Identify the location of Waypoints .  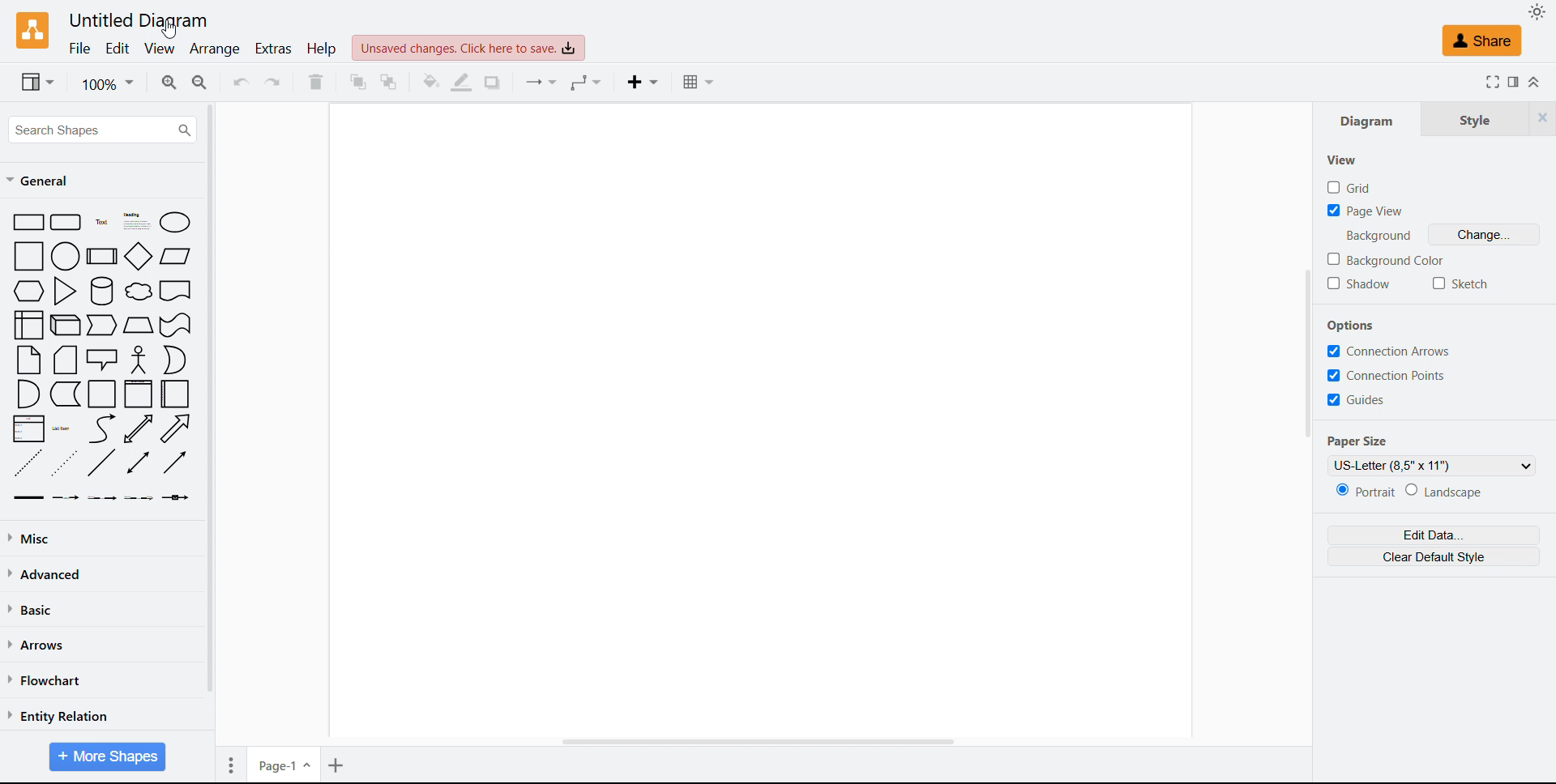
(587, 83).